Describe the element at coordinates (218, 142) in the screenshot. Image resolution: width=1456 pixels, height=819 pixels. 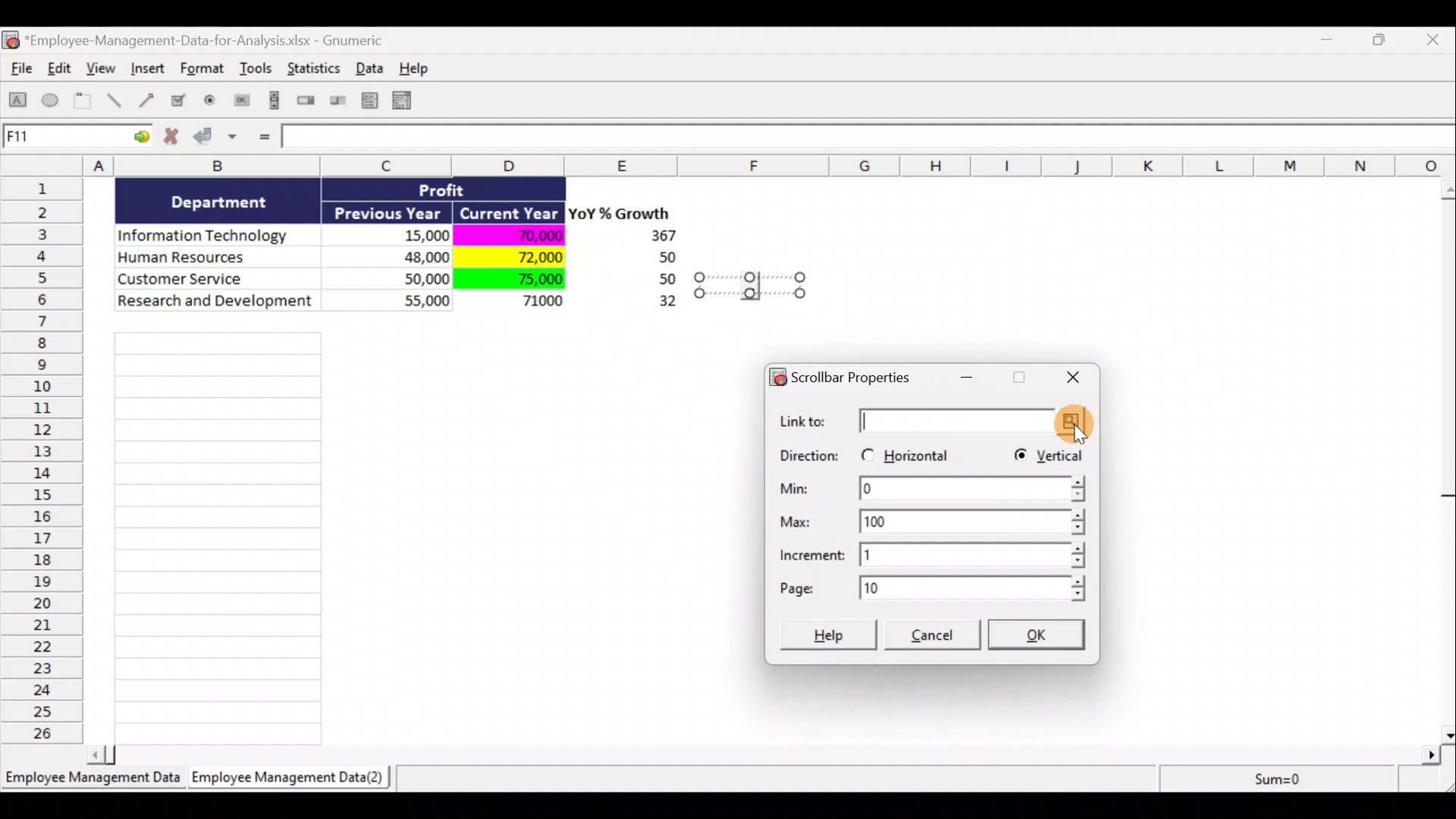
I see `Accept changes` at that location.